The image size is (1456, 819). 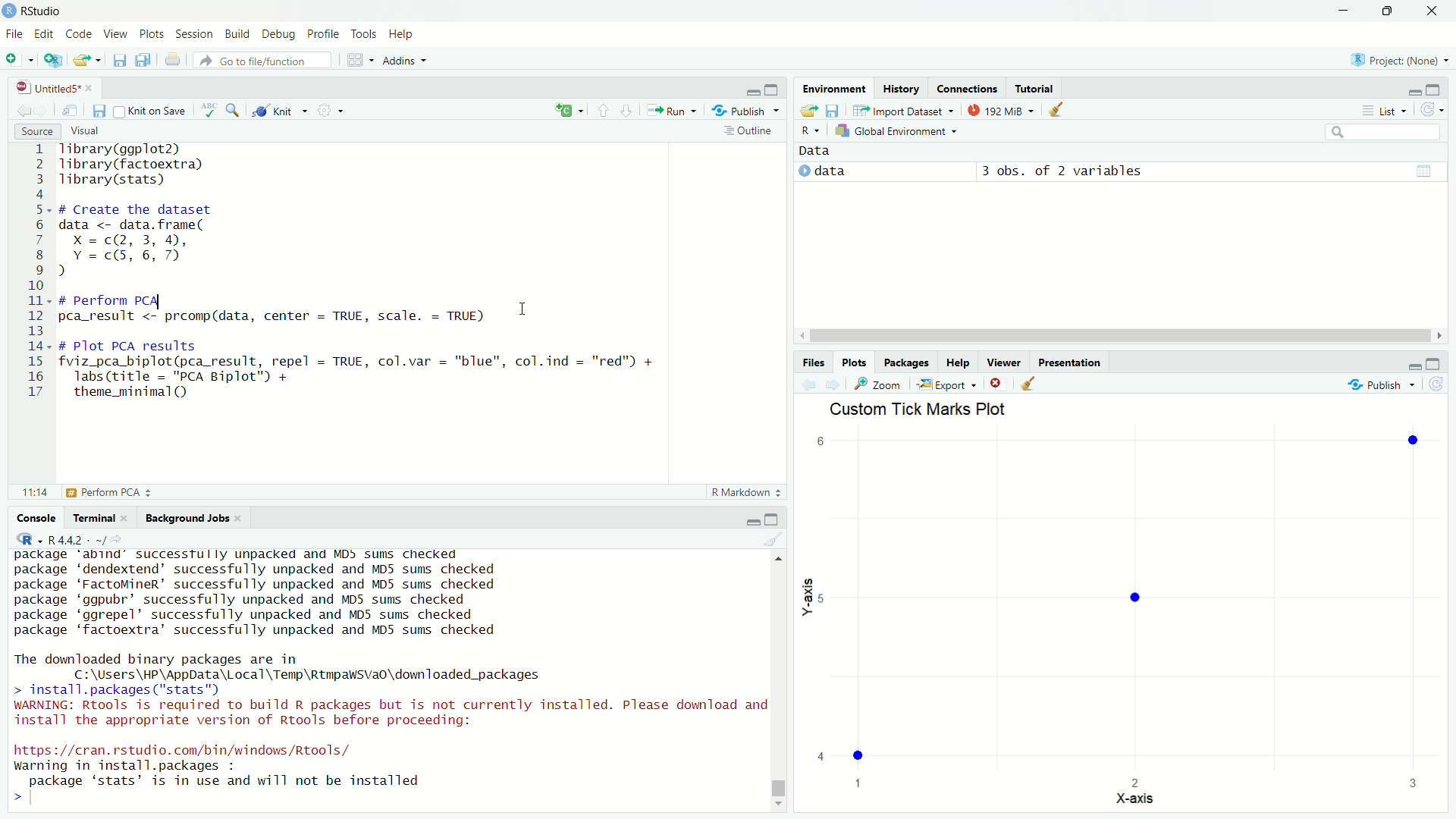 I want to click on maximize, so click(x=1435, y=89).